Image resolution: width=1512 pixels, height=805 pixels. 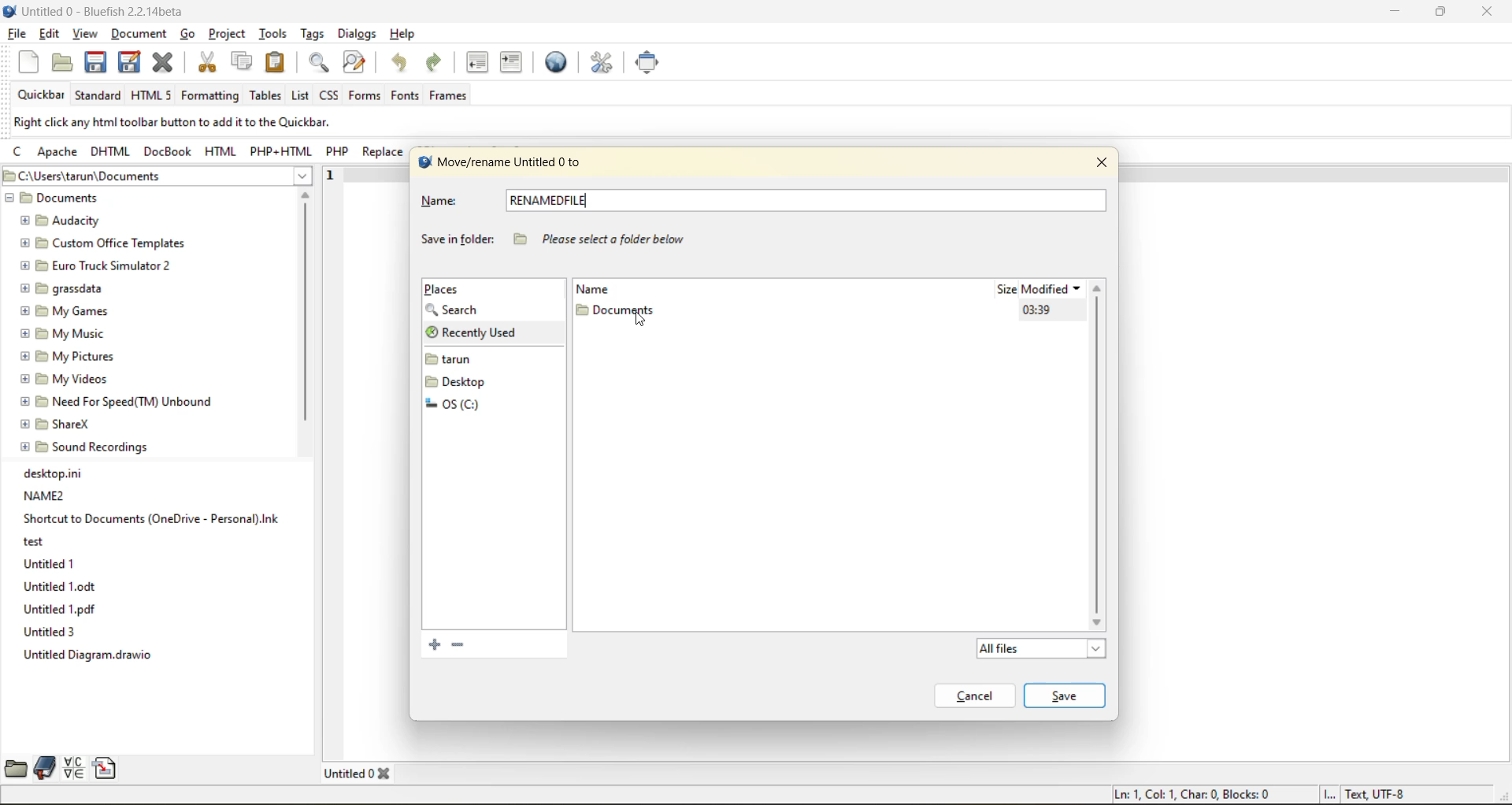 I want to click on frames, so click(x=456, y=98).